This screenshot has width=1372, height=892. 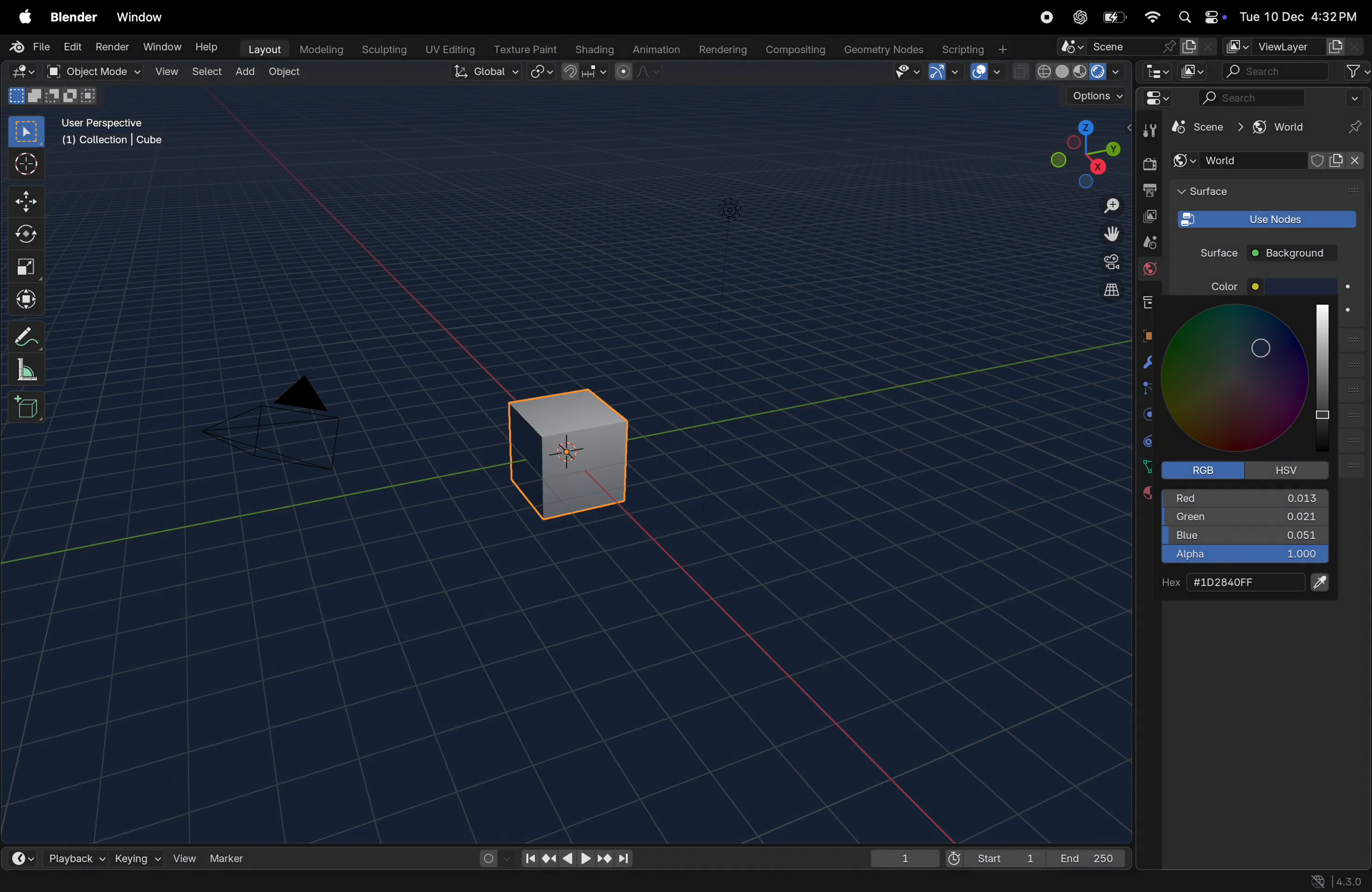 What do you see at coordinates (1141, 494) in the screenshot?
I see `material` at bounding box center [1141, 494].